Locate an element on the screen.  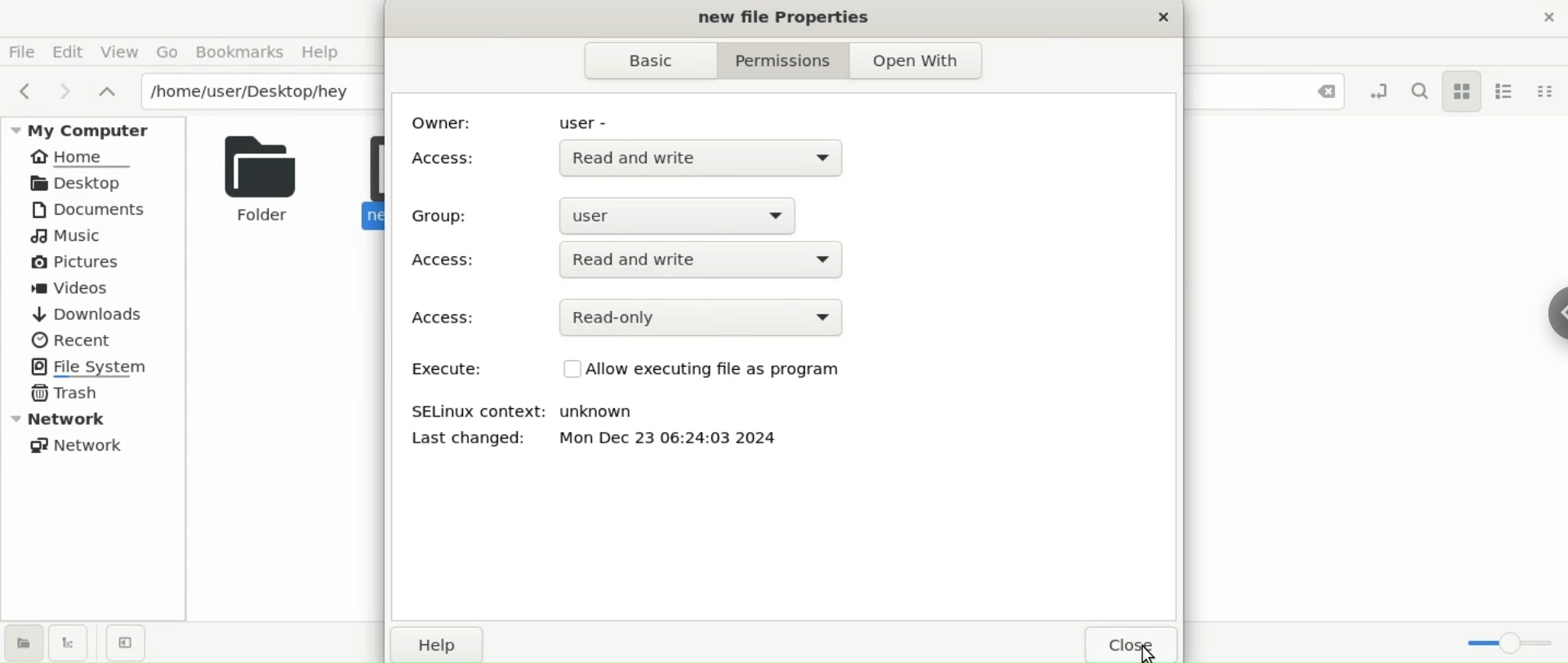
Allow executing file as program is located at coordinates (738, 372).